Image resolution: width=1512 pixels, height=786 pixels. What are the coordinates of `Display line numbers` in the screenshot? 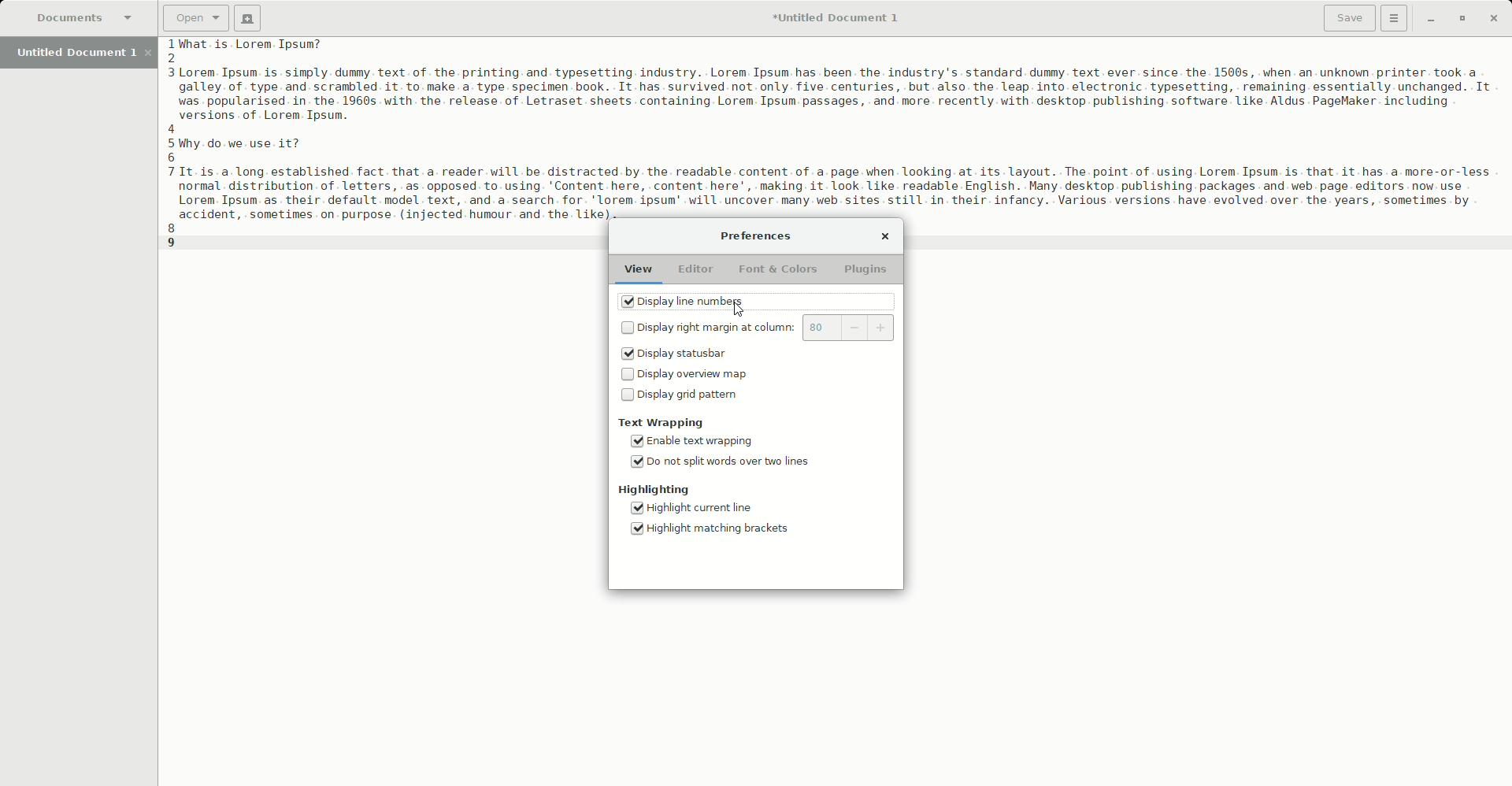 It's located at (710, 302).